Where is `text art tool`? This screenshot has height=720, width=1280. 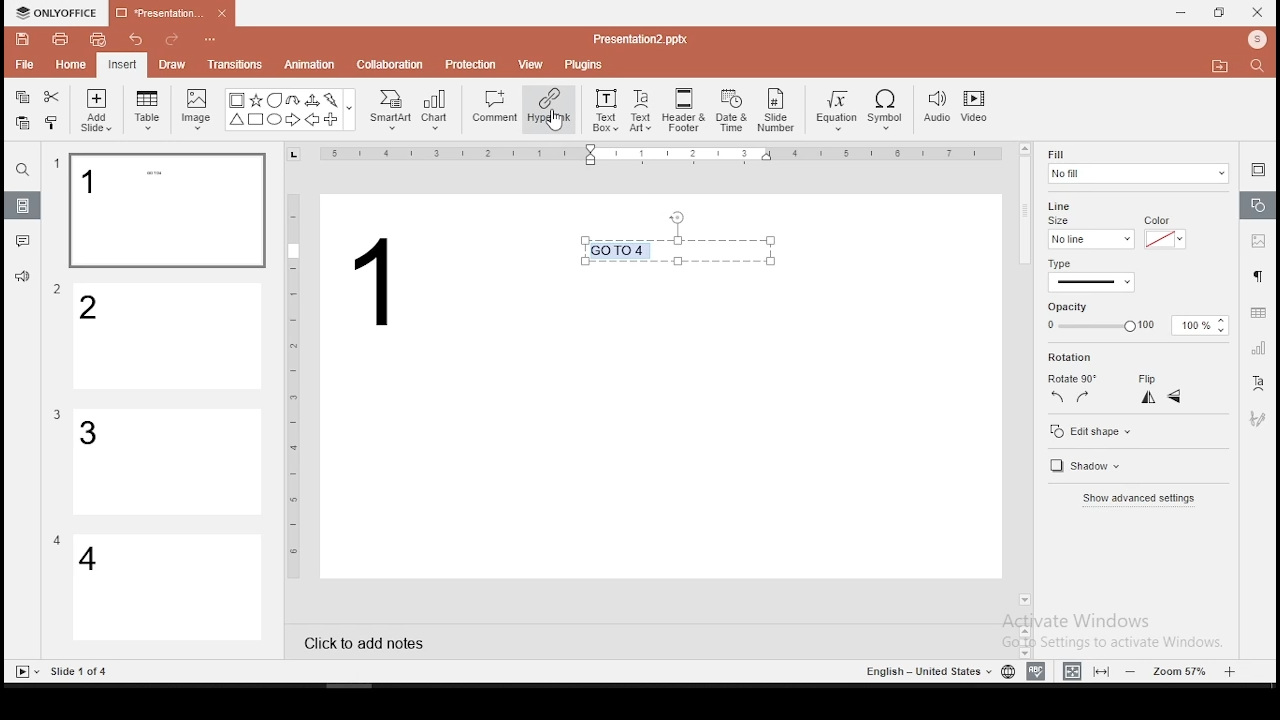
text art tool is located at coordinates (1257, 384).